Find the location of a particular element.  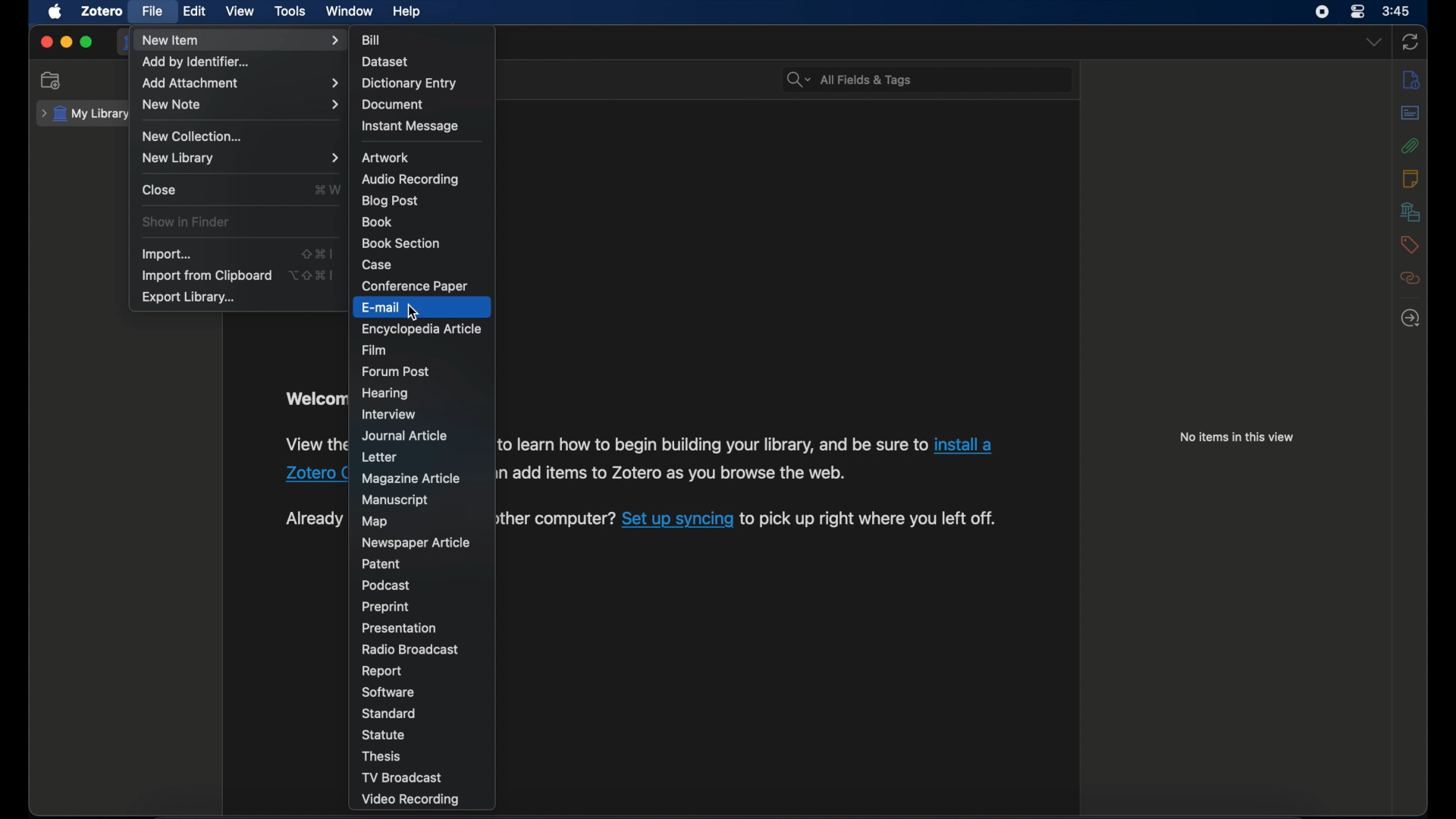

close is located at coordinates (161, 190).